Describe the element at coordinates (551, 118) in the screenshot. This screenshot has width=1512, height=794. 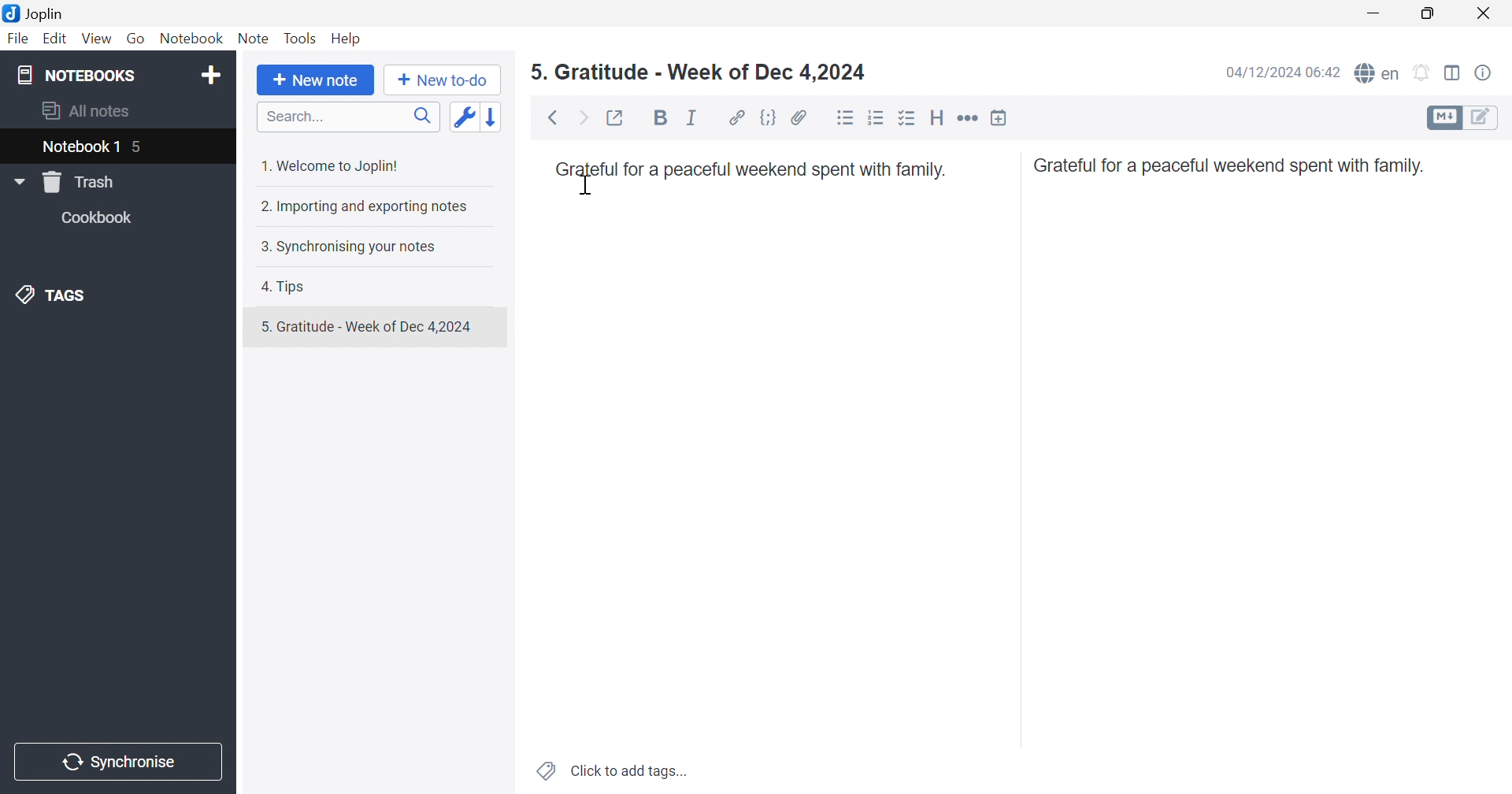
I see `Back` at that location.